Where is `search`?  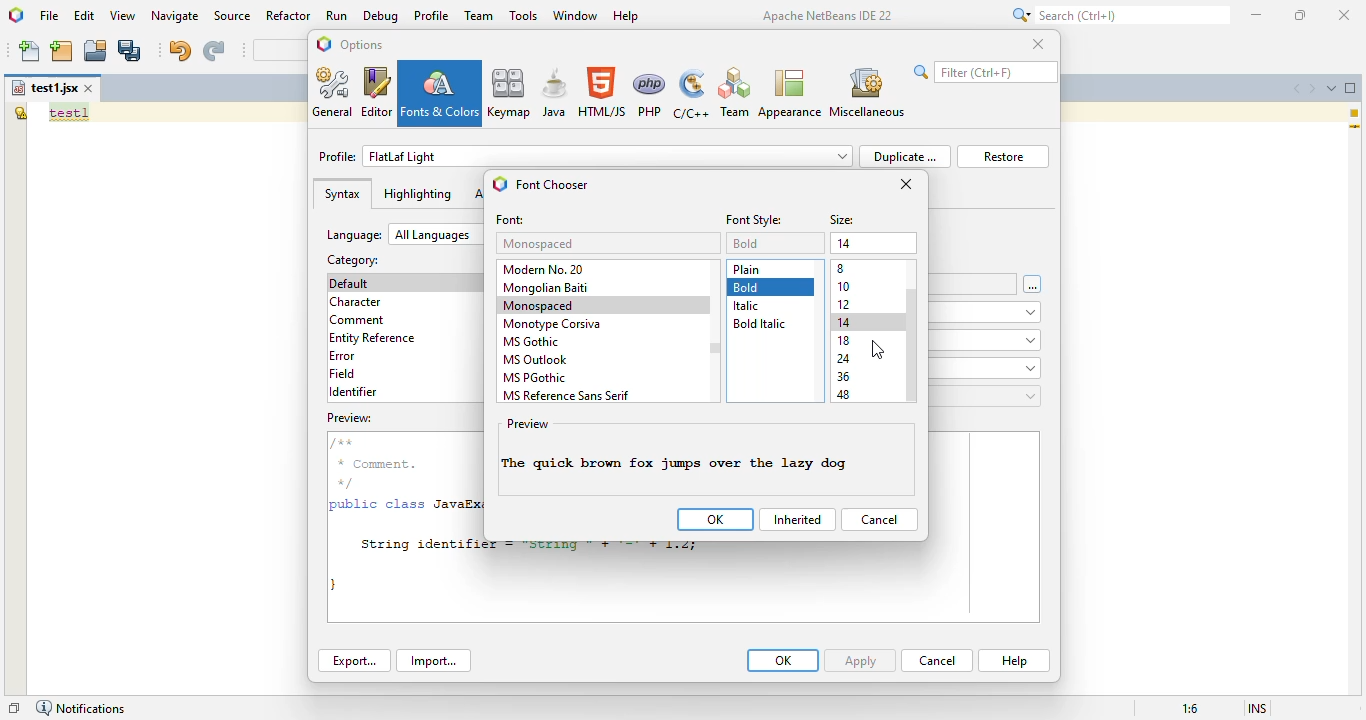
search is located at coordinates (1117, 15).